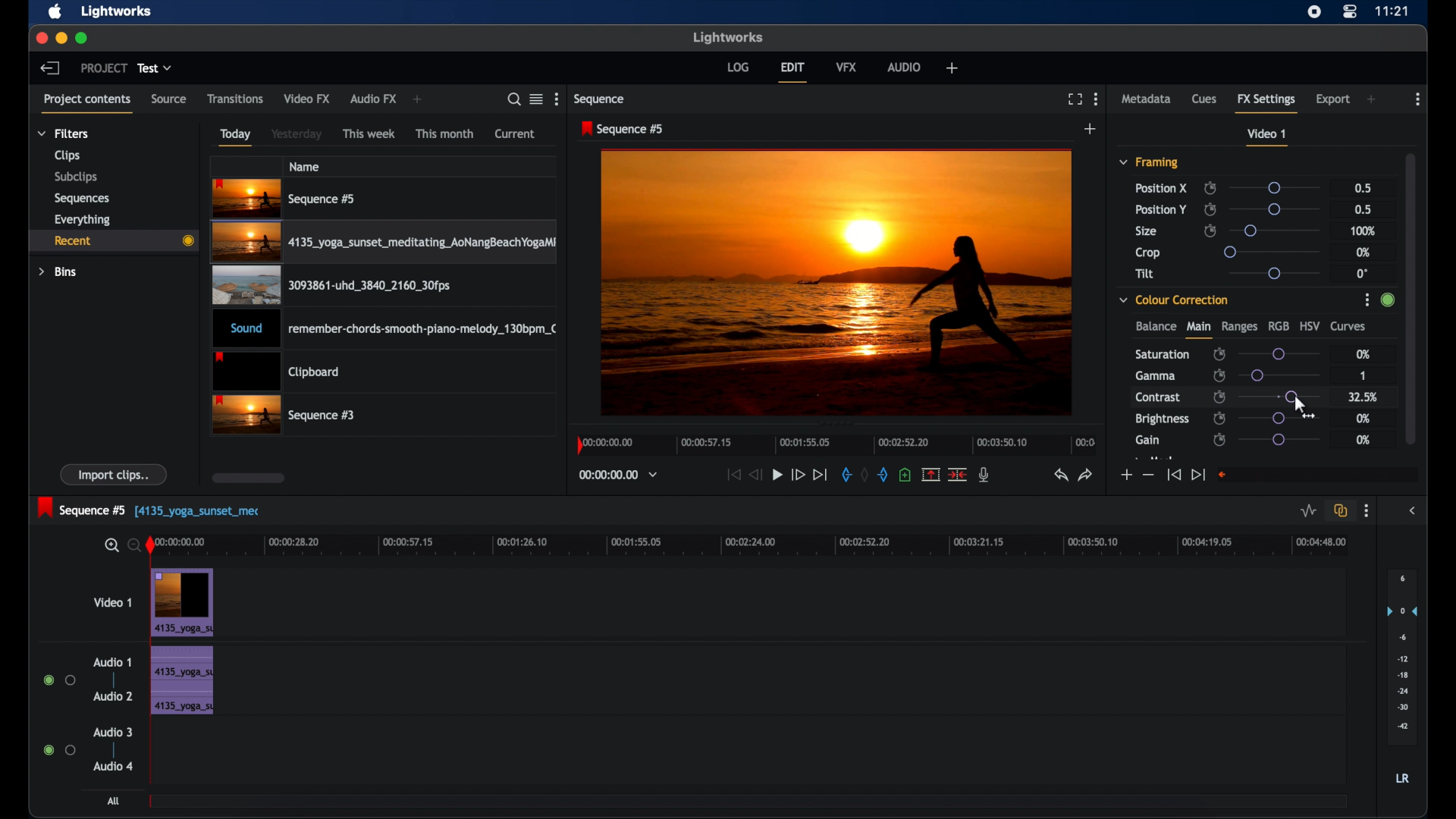 The width and height of the screenshot is (1456, 819). Describe the element at coordinates (1362, 274) in the screenshot. I see `0` at that location.